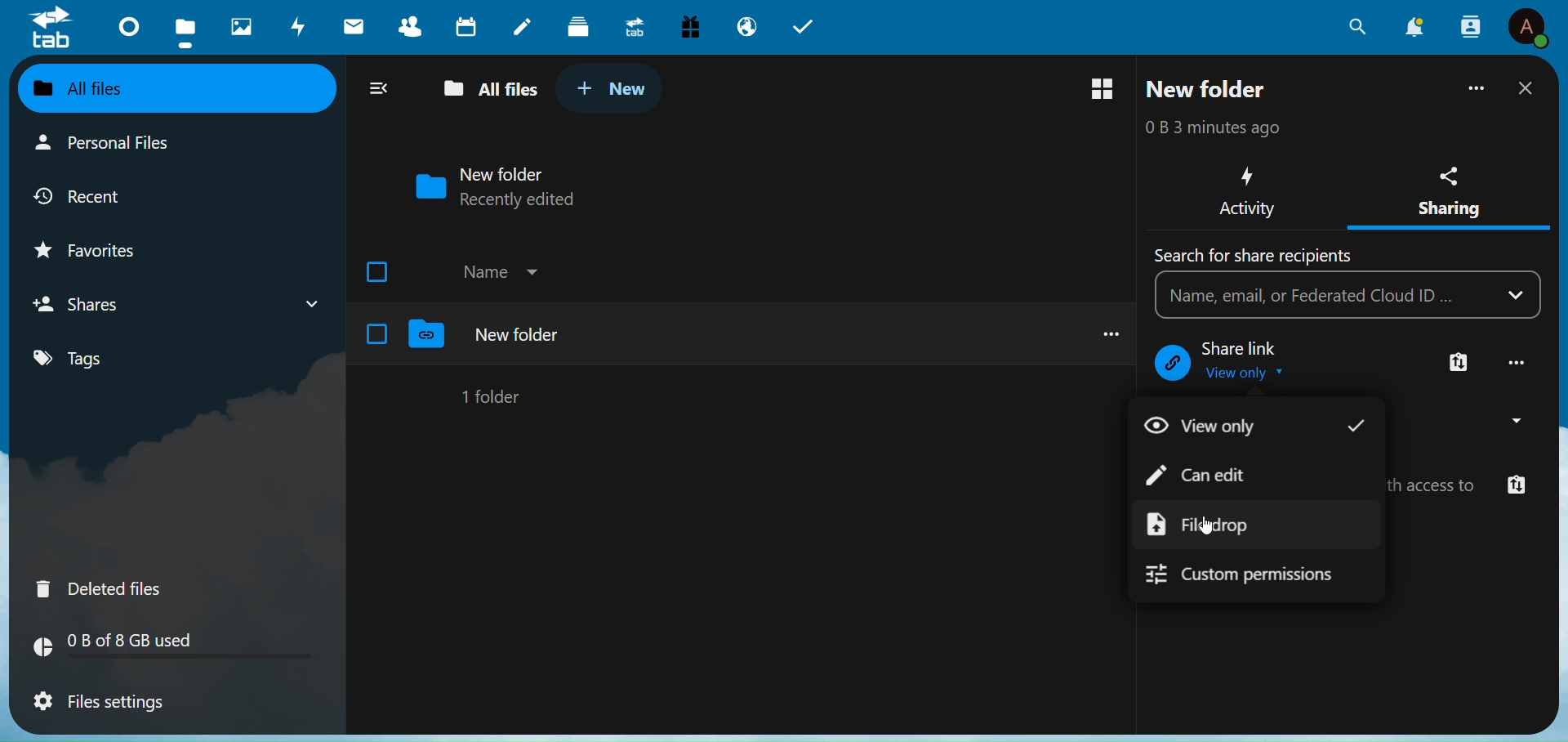 This screenshot has height=742, width=1568. Describe the element at coordinates (123, 25) in the screenshot. I see `Dashboard` at that location.